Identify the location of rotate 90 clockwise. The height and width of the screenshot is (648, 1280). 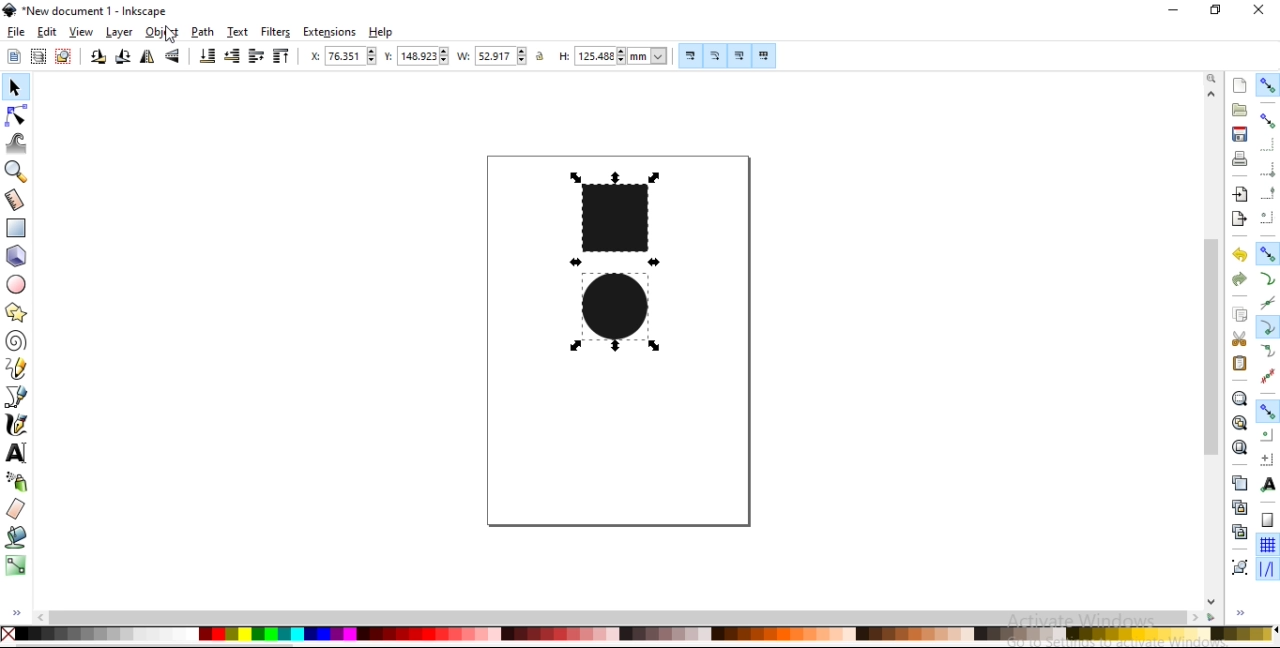
(122, 58).